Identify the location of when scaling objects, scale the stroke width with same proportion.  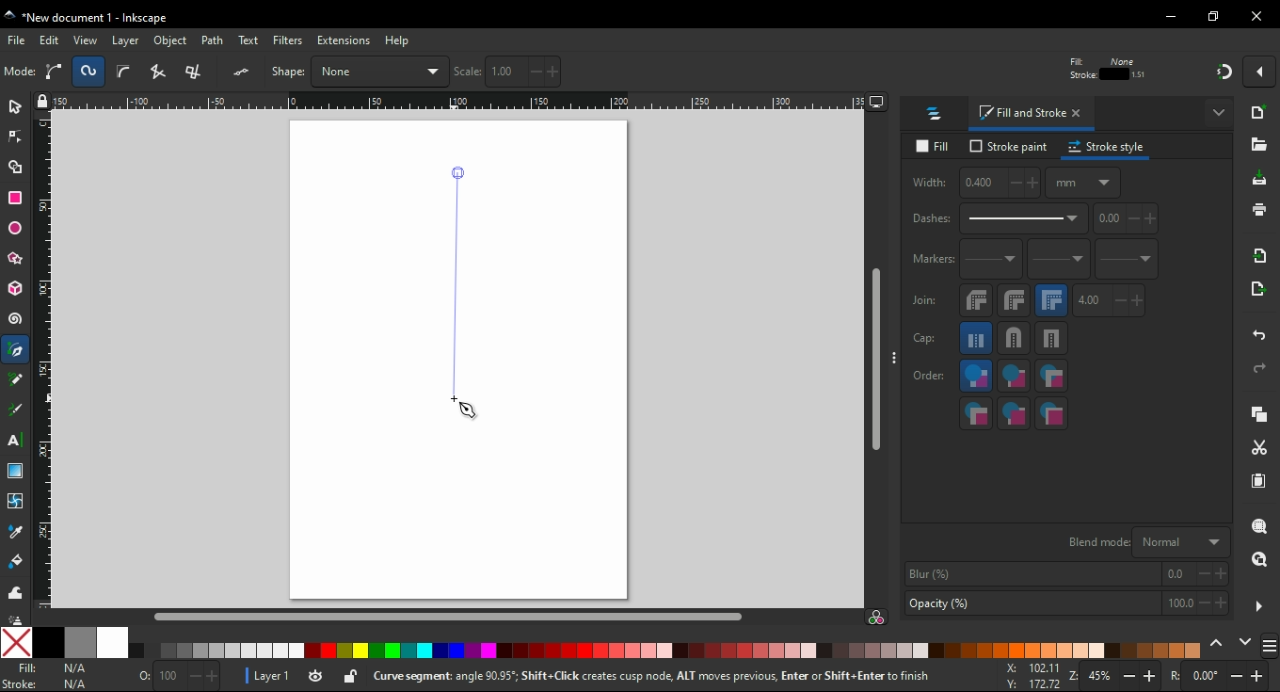
(1068, 71).